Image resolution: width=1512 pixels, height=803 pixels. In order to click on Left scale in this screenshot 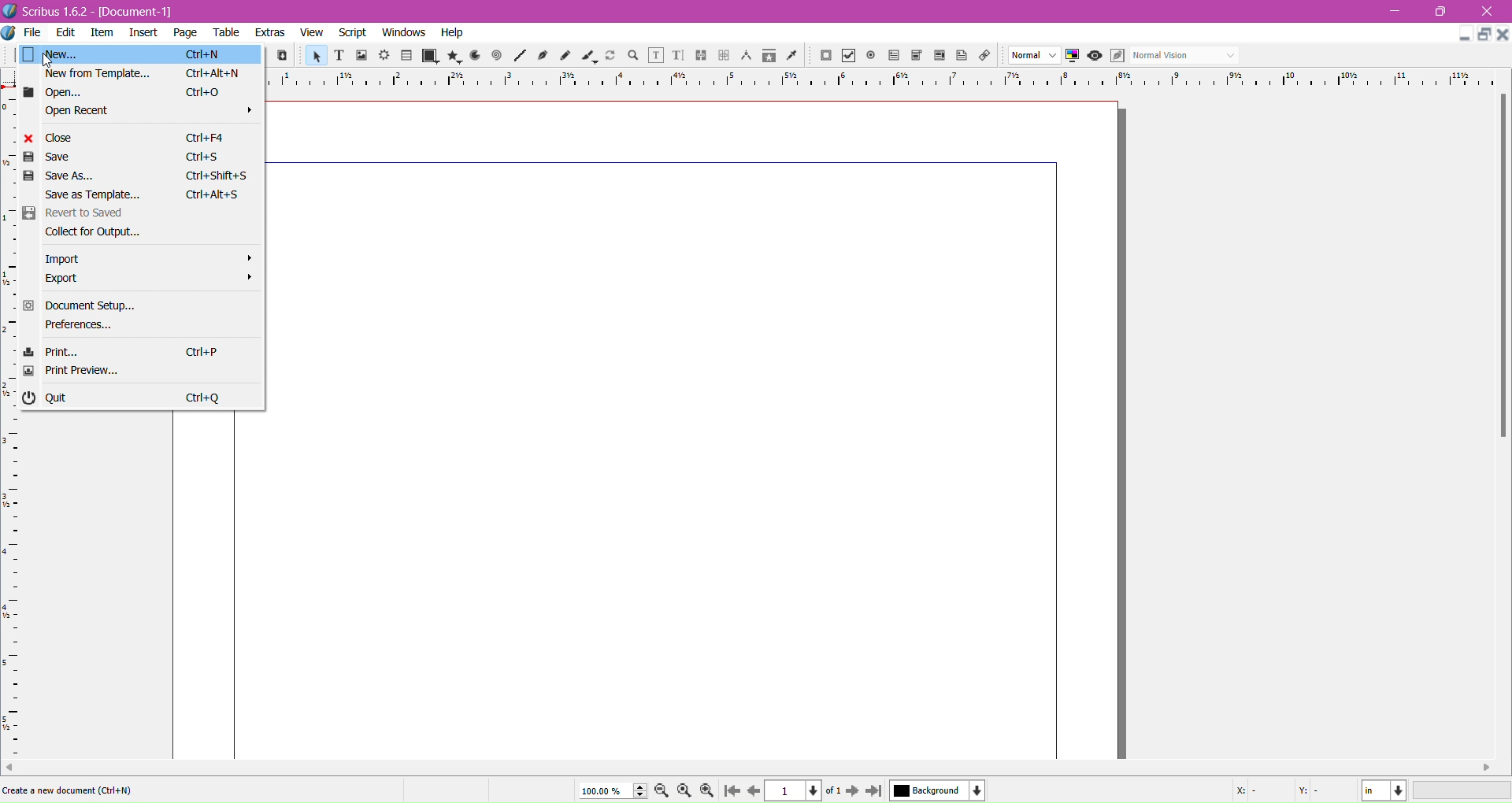, I will do `click(13, 413)`.